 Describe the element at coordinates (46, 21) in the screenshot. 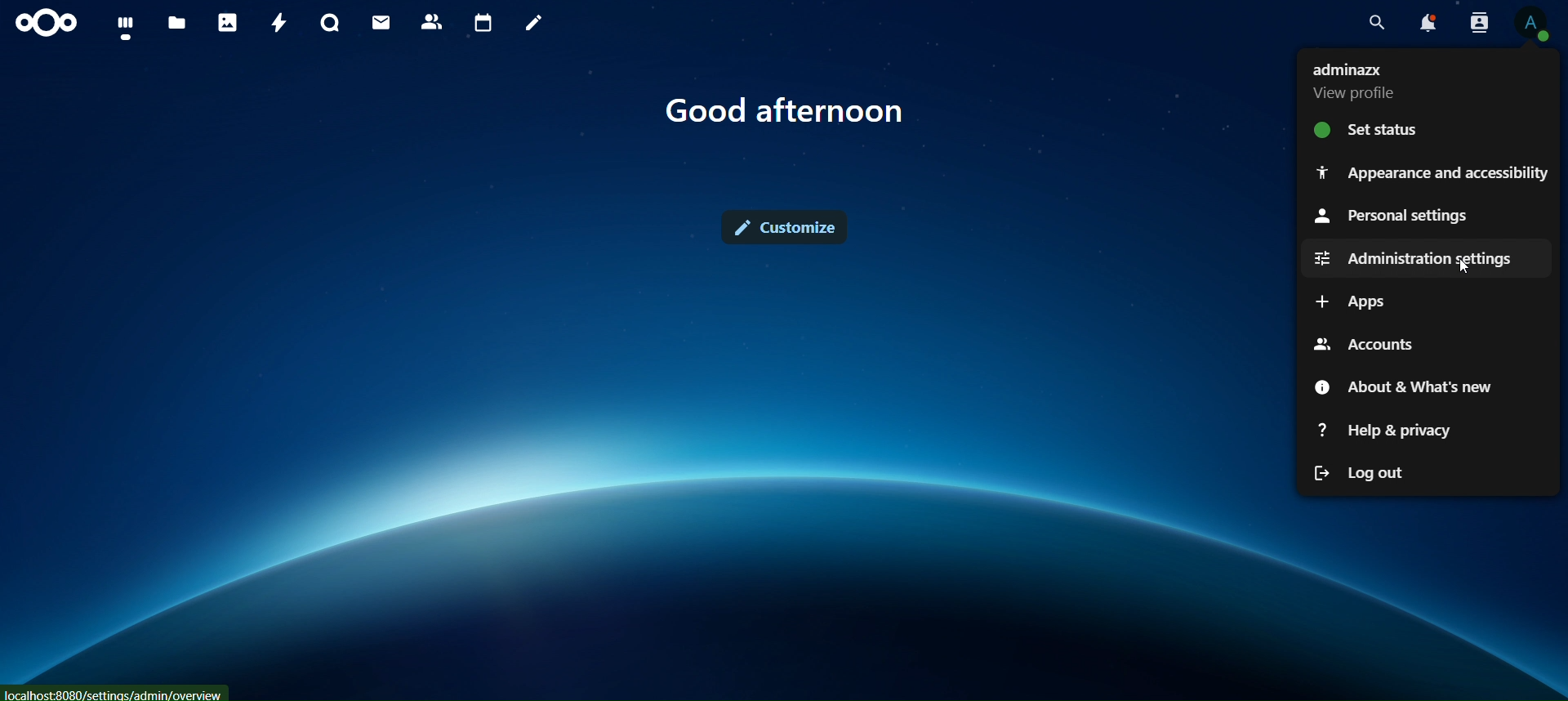

I see `icon` at that location.